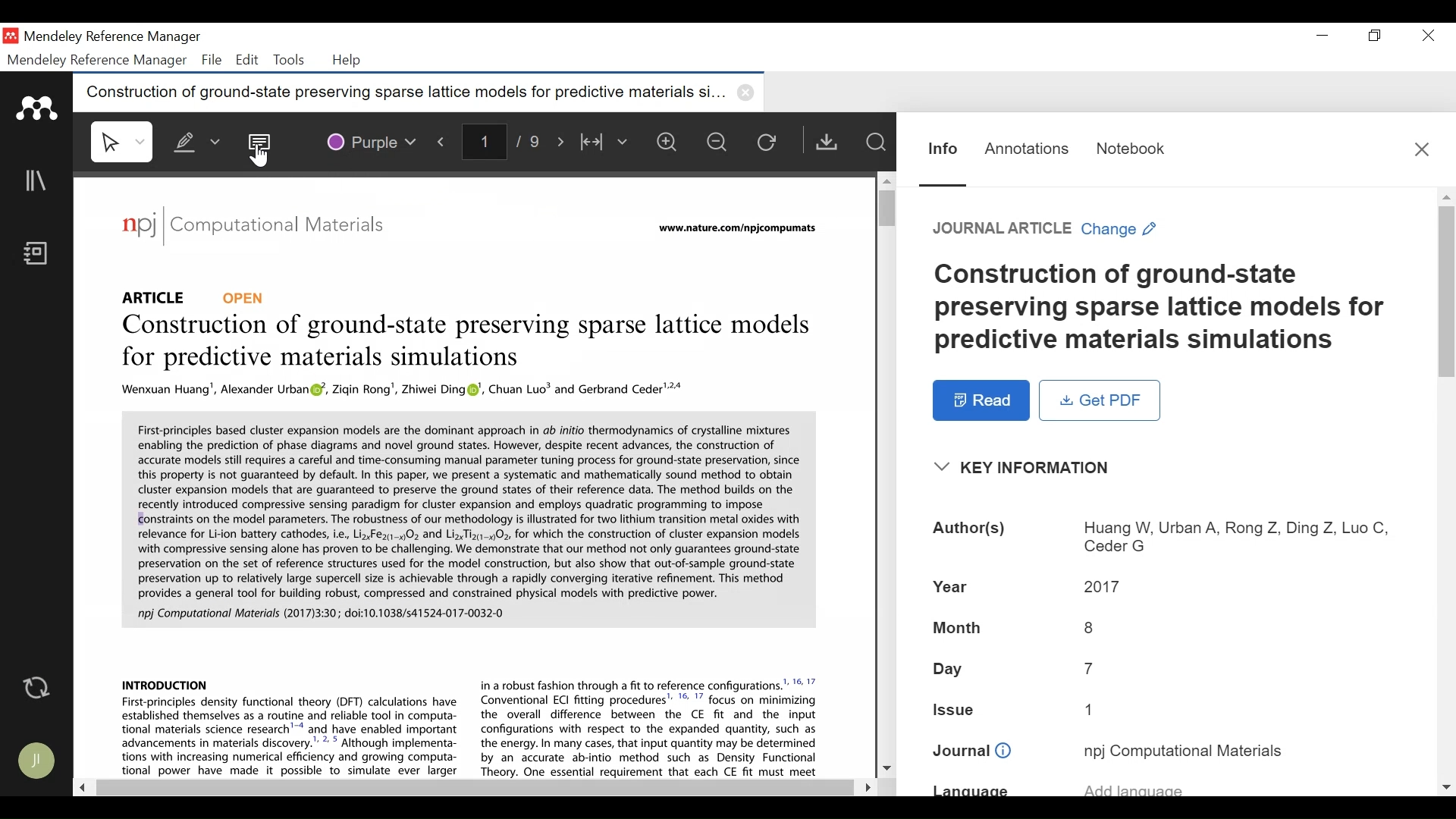 Image resolution: width=1456 pixels, height=819 pixels. What do you see at coordinates (606, 143) in the screenshot?
I see `Width to fit` at bounding box center [606, 143].